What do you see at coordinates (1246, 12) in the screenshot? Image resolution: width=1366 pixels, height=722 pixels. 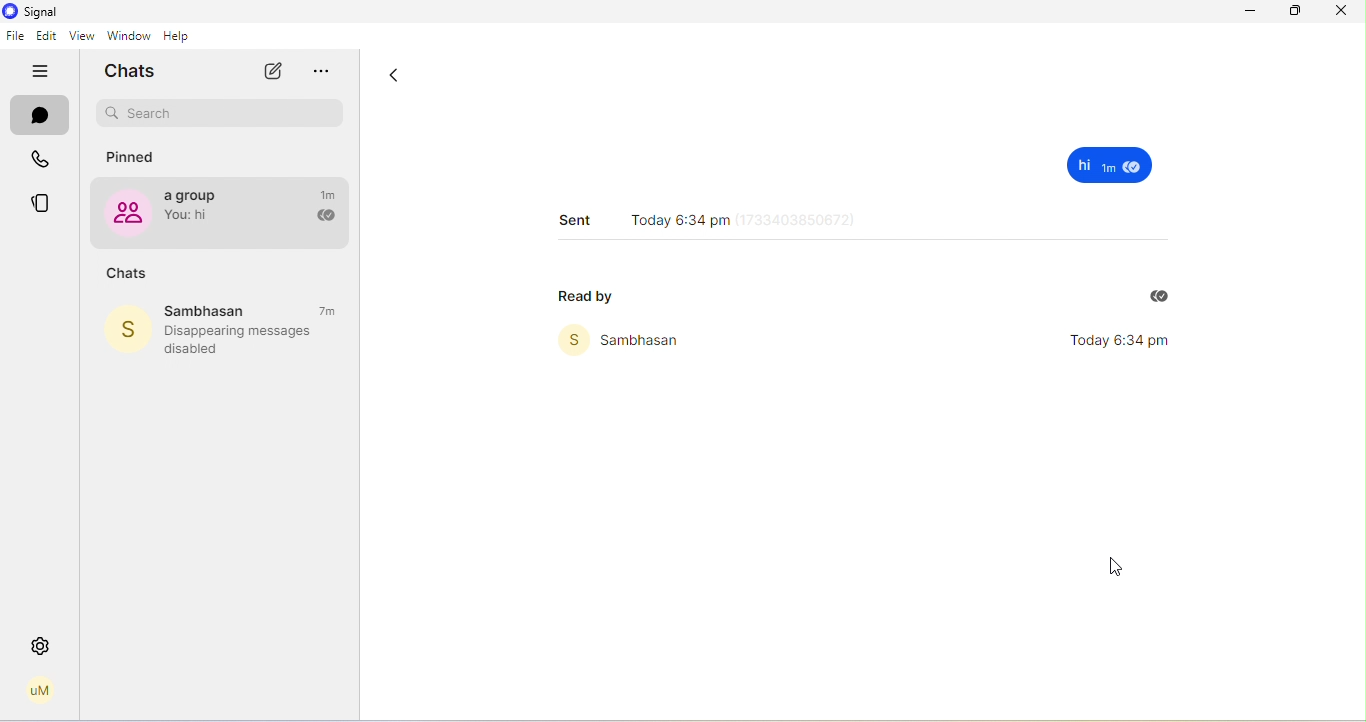 I see `minimize` at bounding box center [1246, 12].